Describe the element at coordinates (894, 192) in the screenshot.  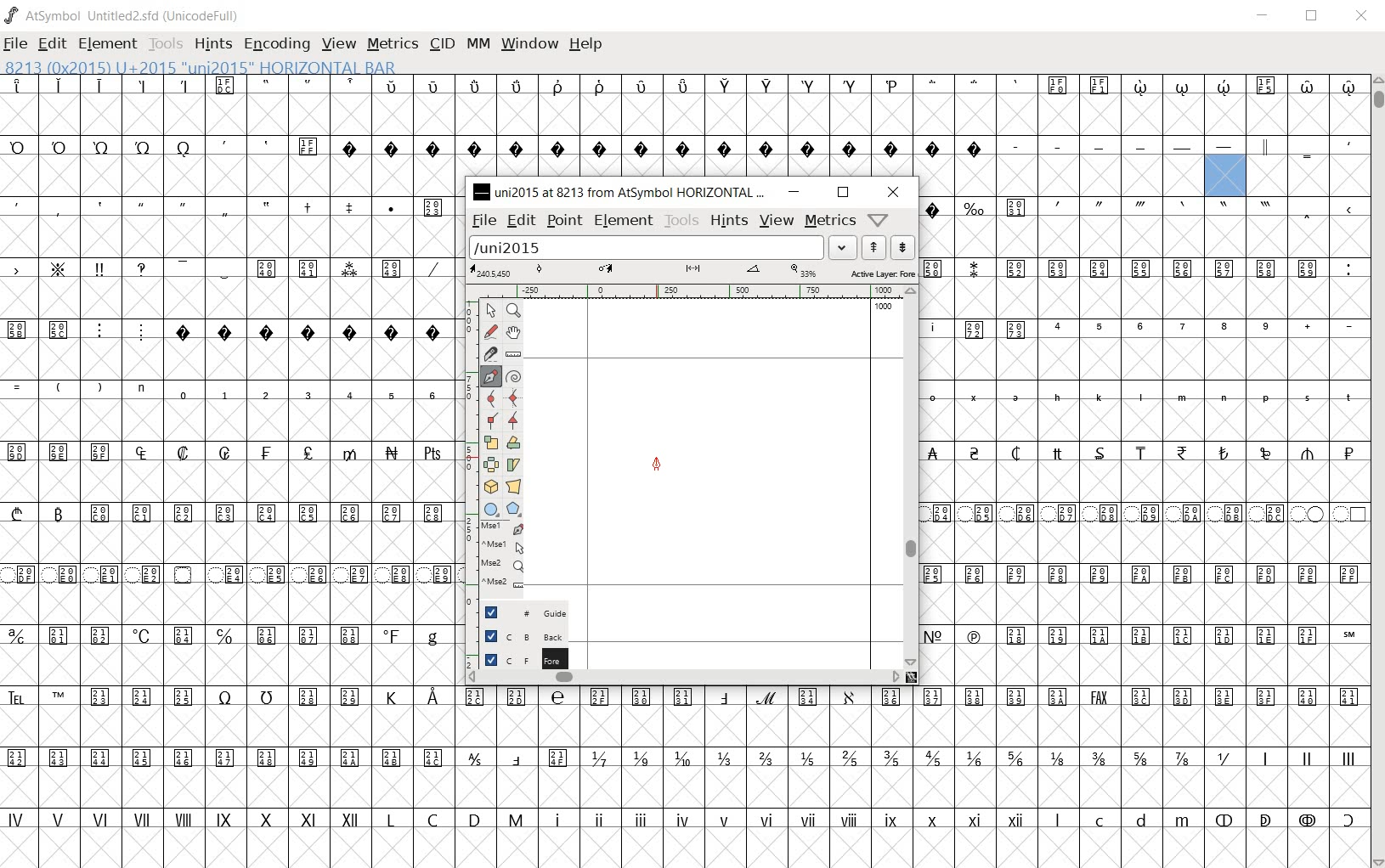
I see `close` at that location.